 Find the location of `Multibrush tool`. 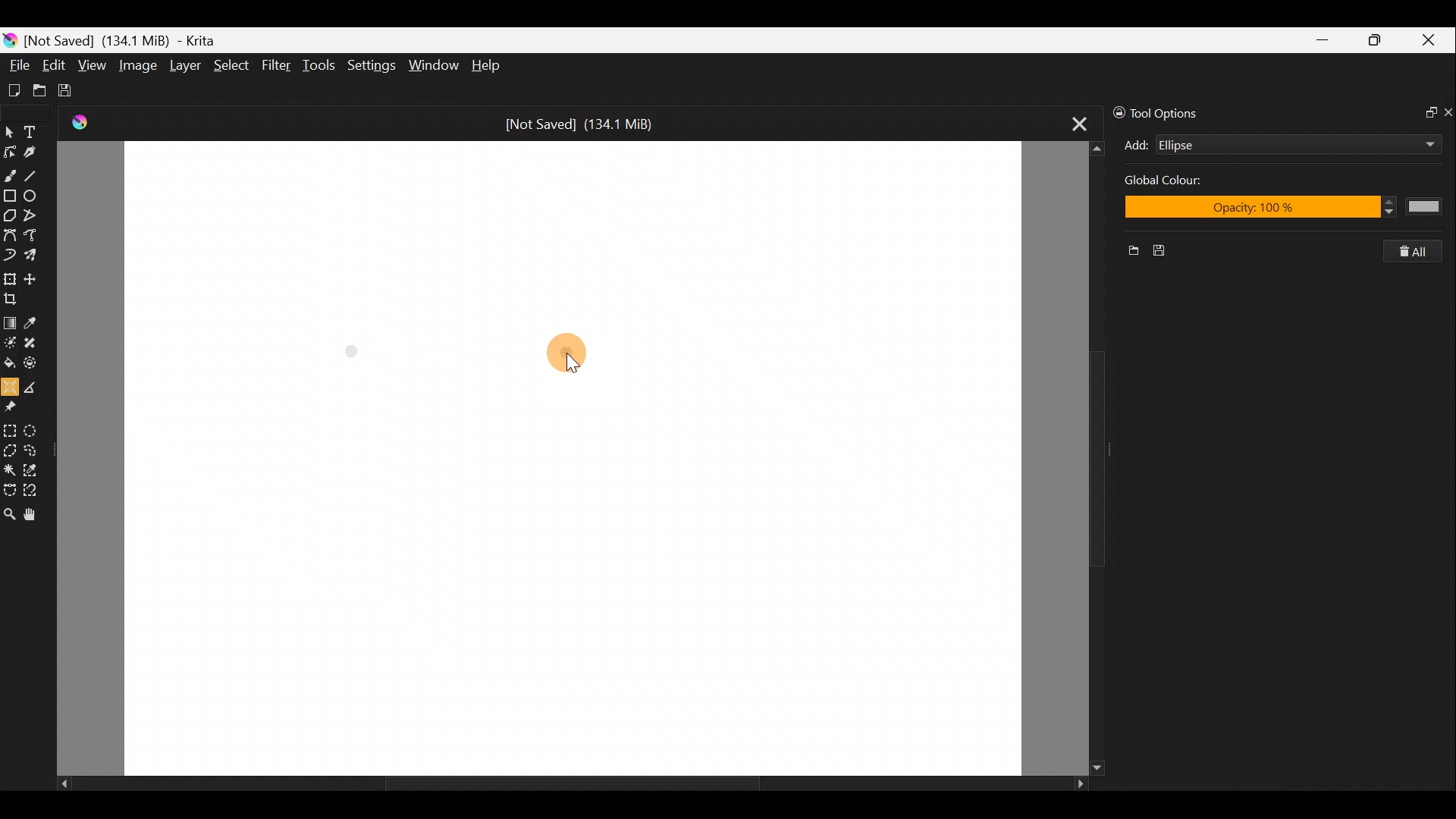

Multibrush tool is located at coordinates (33, 257).